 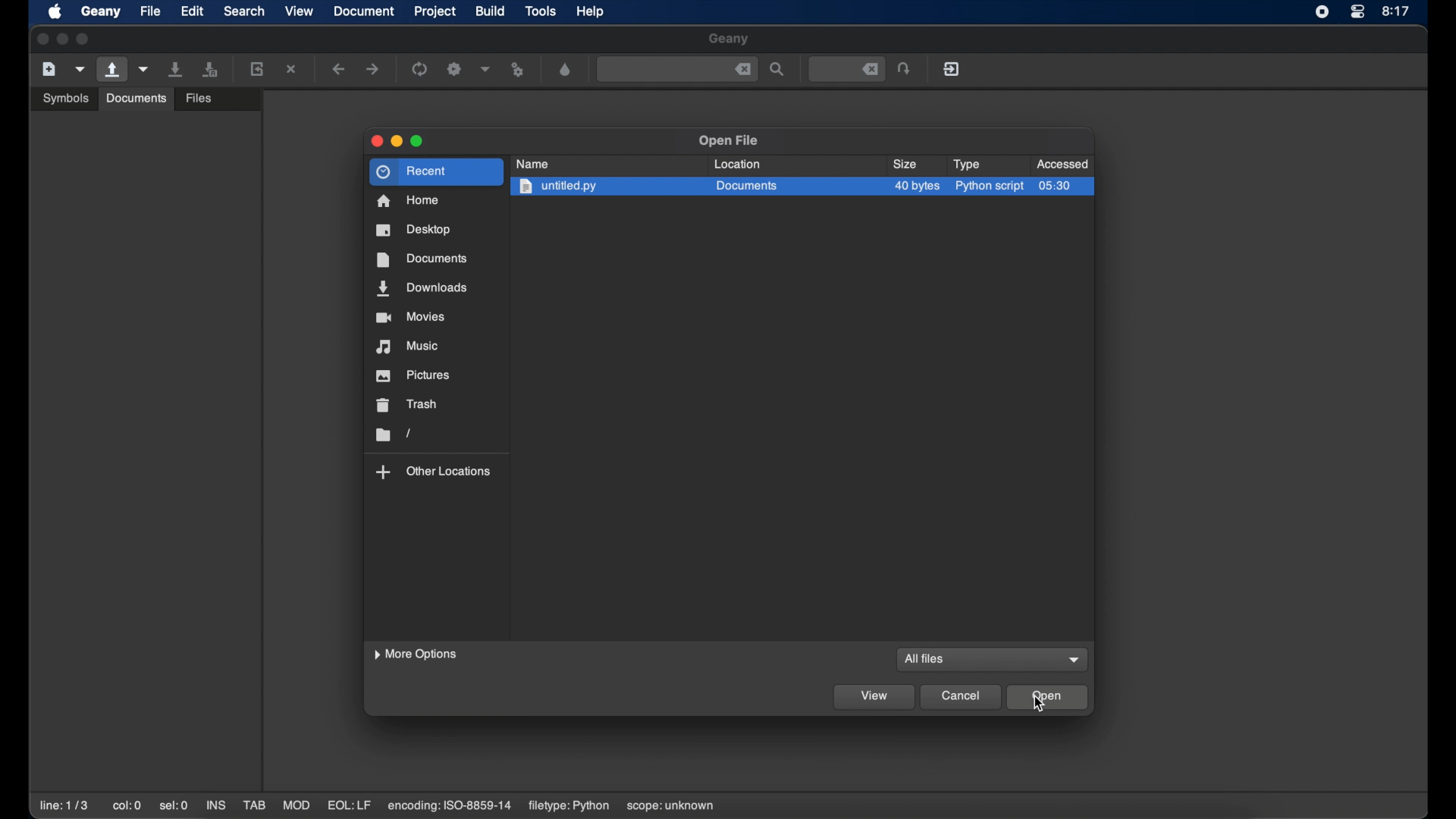 What do you see at coordinates (434, 472) in the screenshot?
I see `other locations` at bounding box center [434, 472].